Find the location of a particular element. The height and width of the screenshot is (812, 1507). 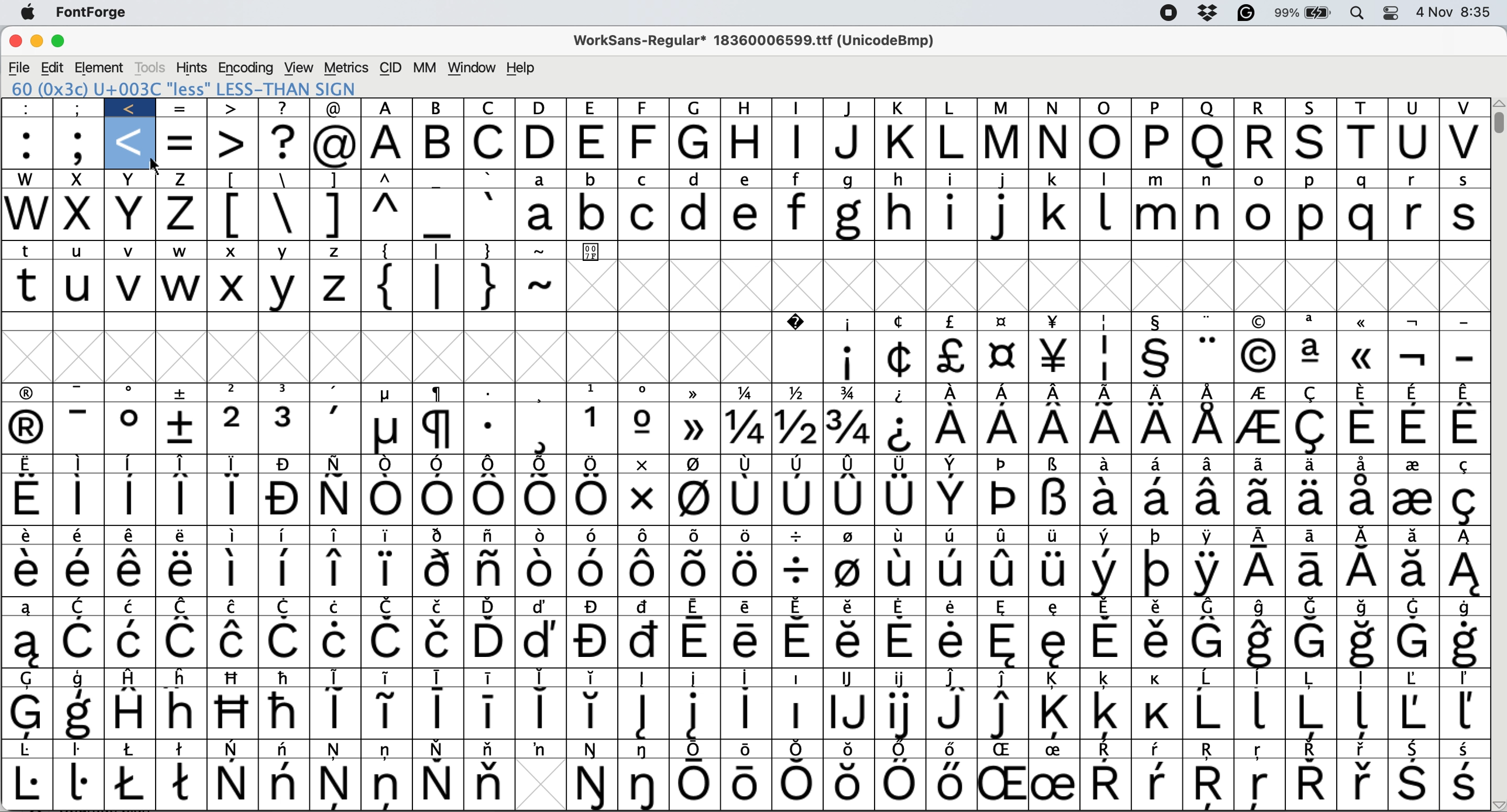

Symbol is located at coordinates (594, 251).